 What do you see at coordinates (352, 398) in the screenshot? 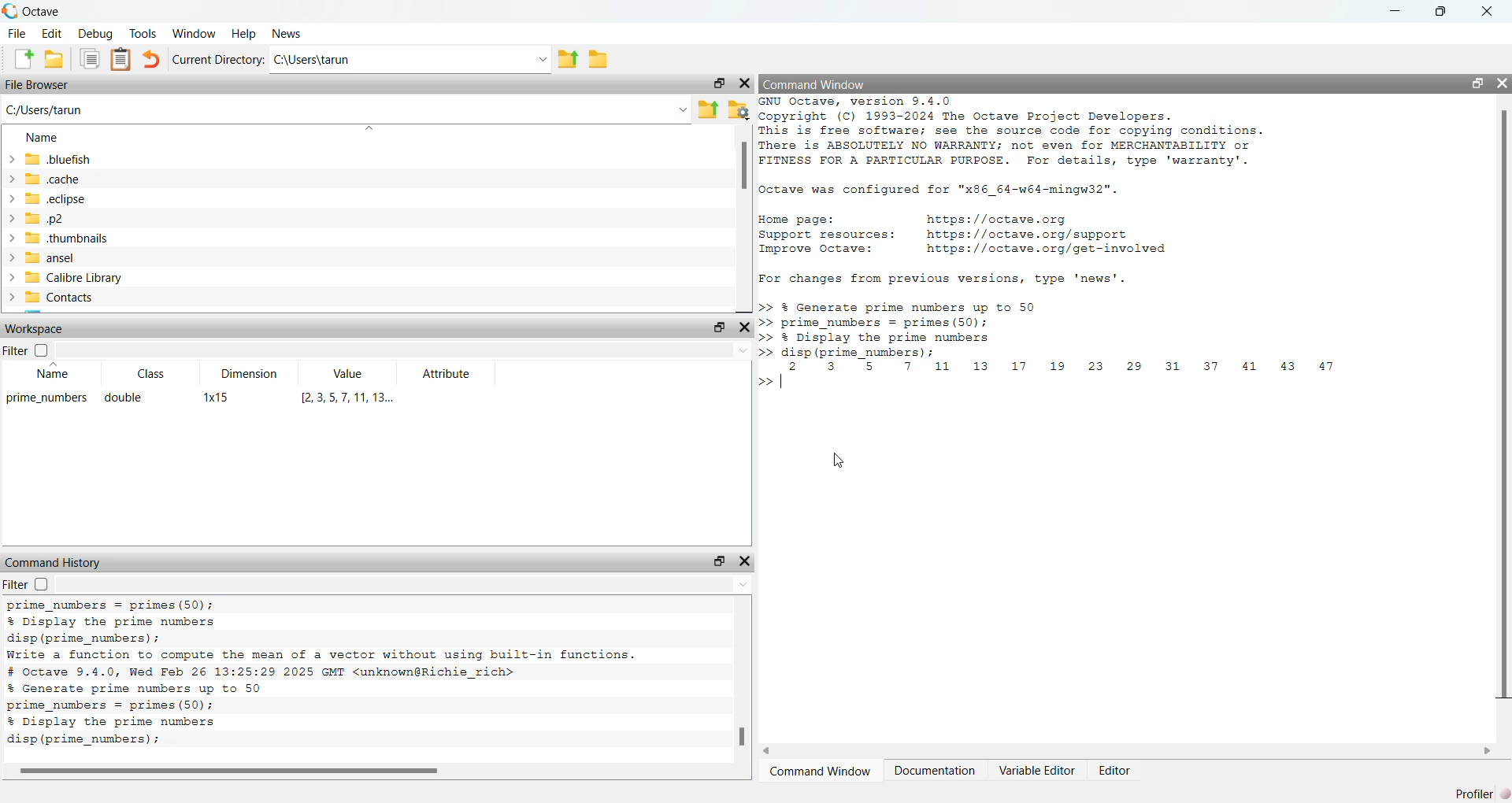
I see `[2,3,5,7,11,13...` at bounding box center [352, 398].